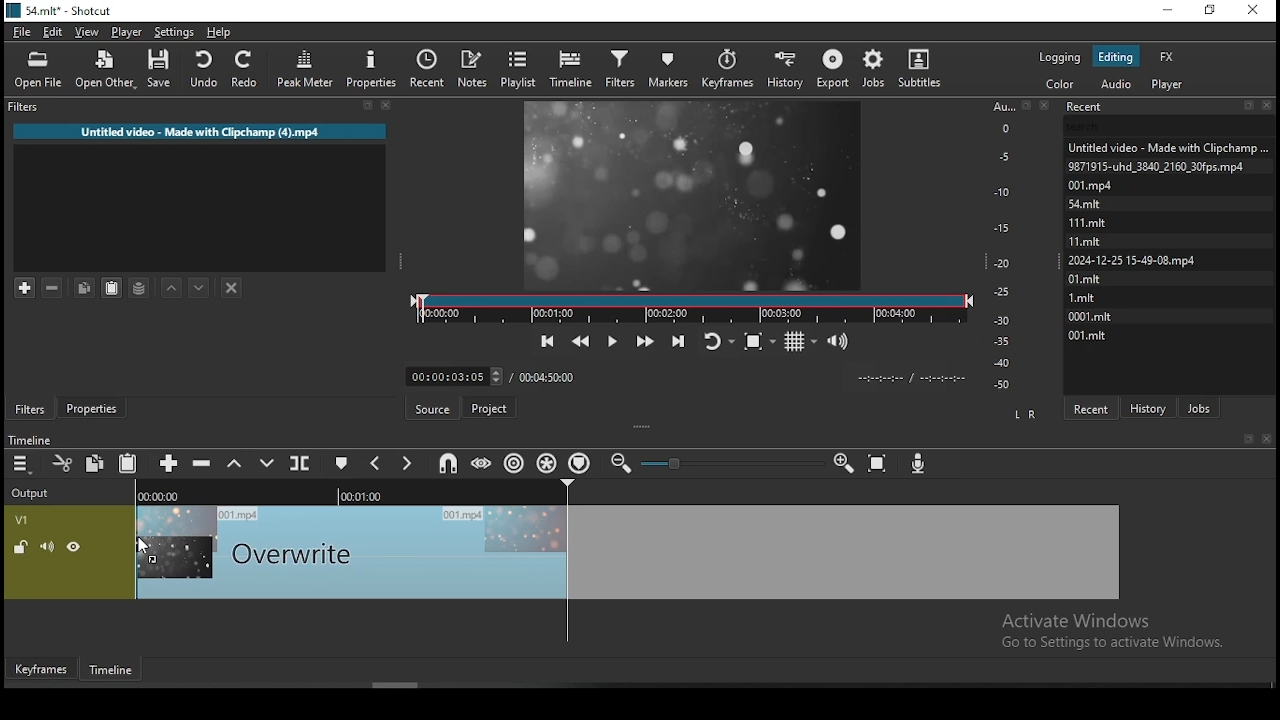 The height and width of the screenshot is (720, 1280). Describe the element at coordinates (1156, 165) in the screenshot. I see `files` at that location.